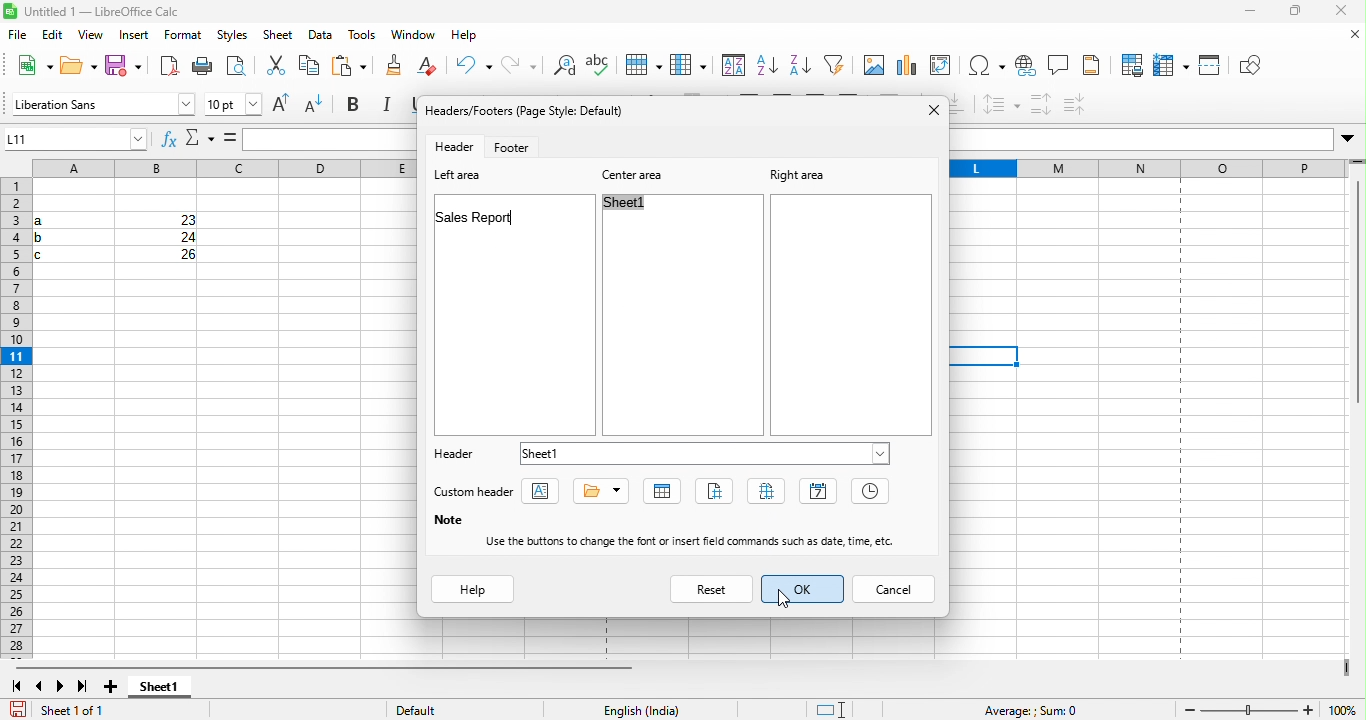 The image size is (1366, 720). I want to click on sales report, so click(480, 217).